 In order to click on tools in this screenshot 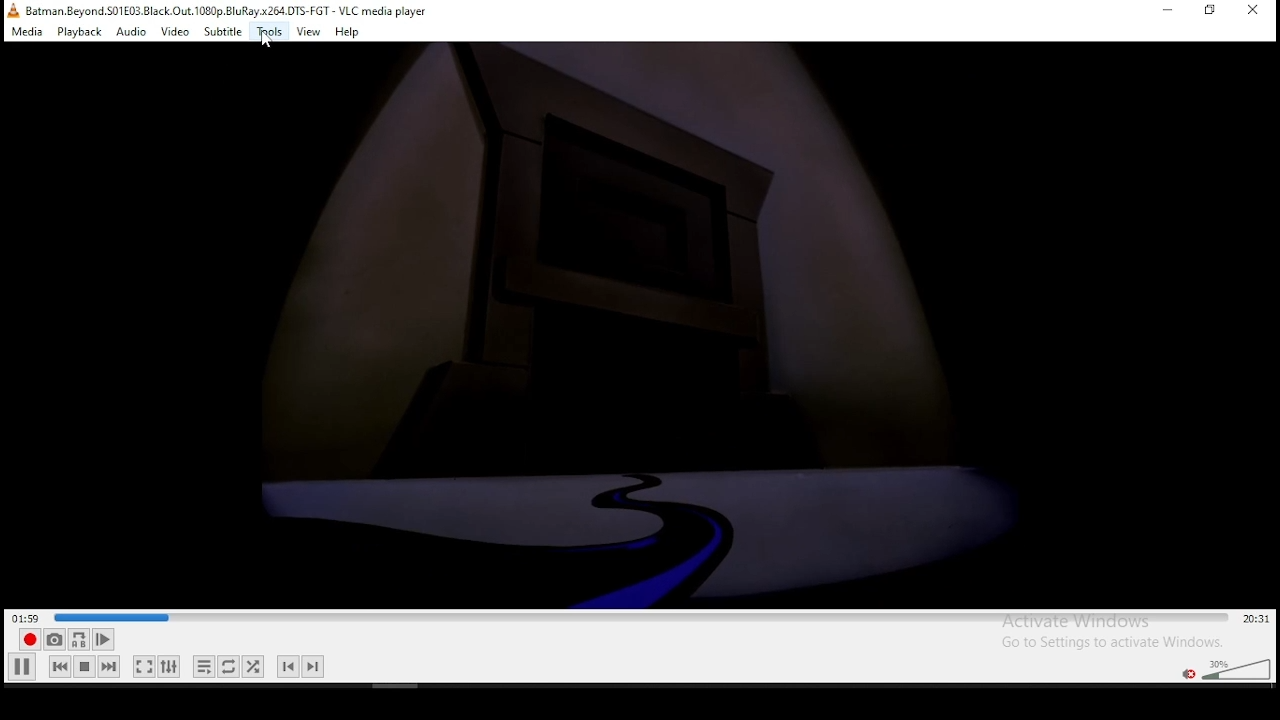, I will do `click(269, 32)`.